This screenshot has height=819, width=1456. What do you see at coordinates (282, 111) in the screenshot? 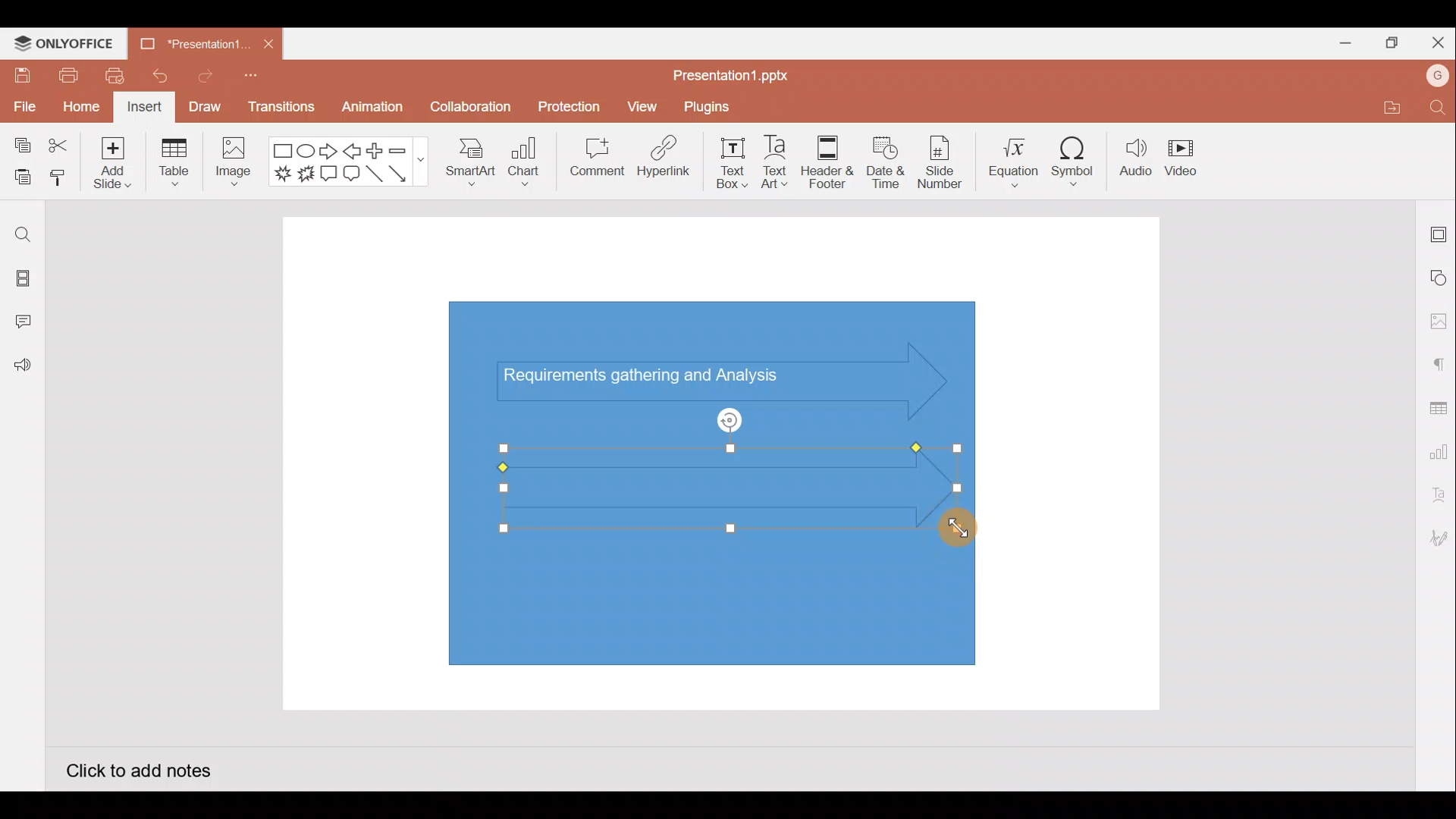
I see `Transitions` at bounding box center [282, 111].